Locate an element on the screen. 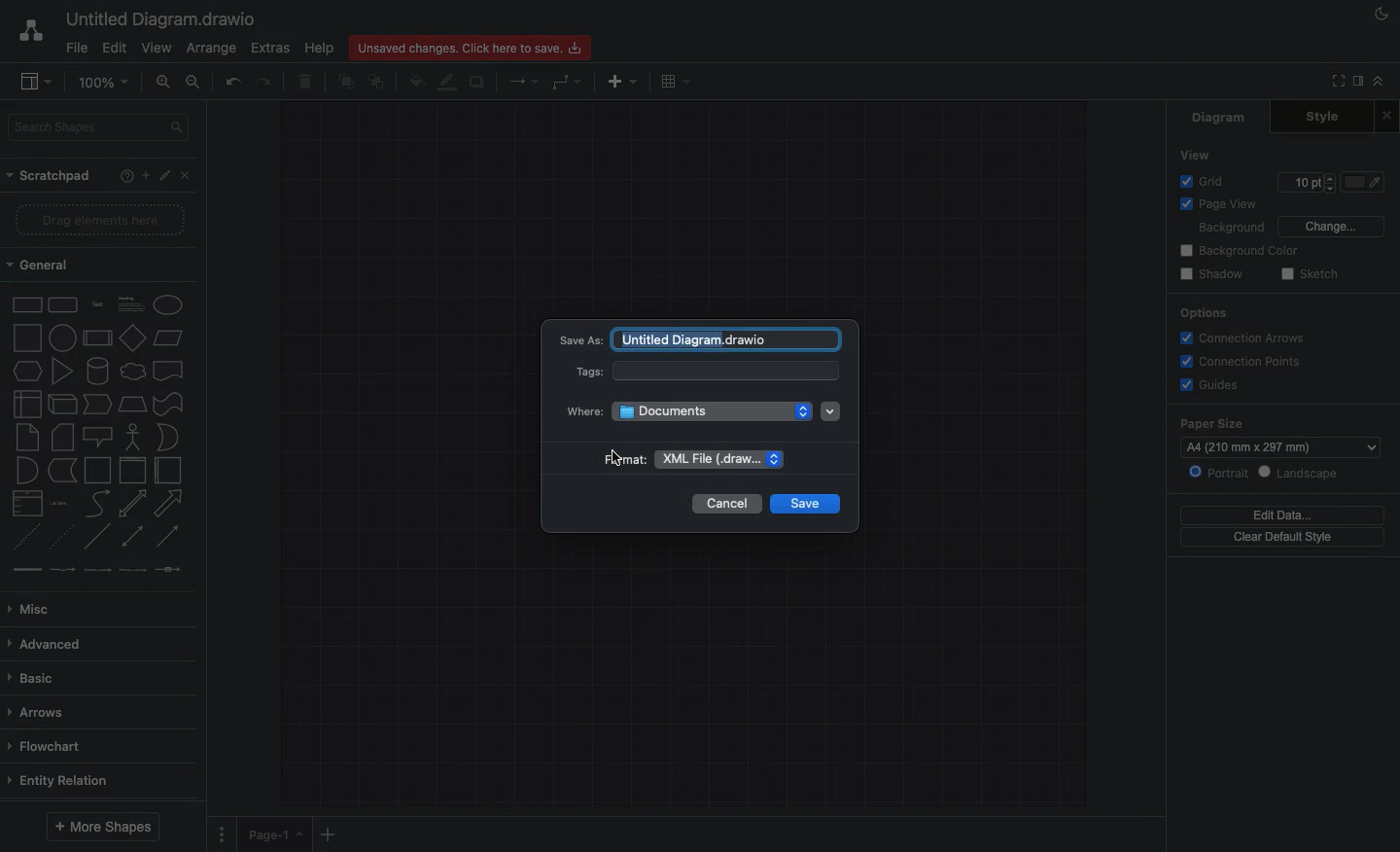 The image size is (1400, 852). Background is located at coordinates (1231, 229).